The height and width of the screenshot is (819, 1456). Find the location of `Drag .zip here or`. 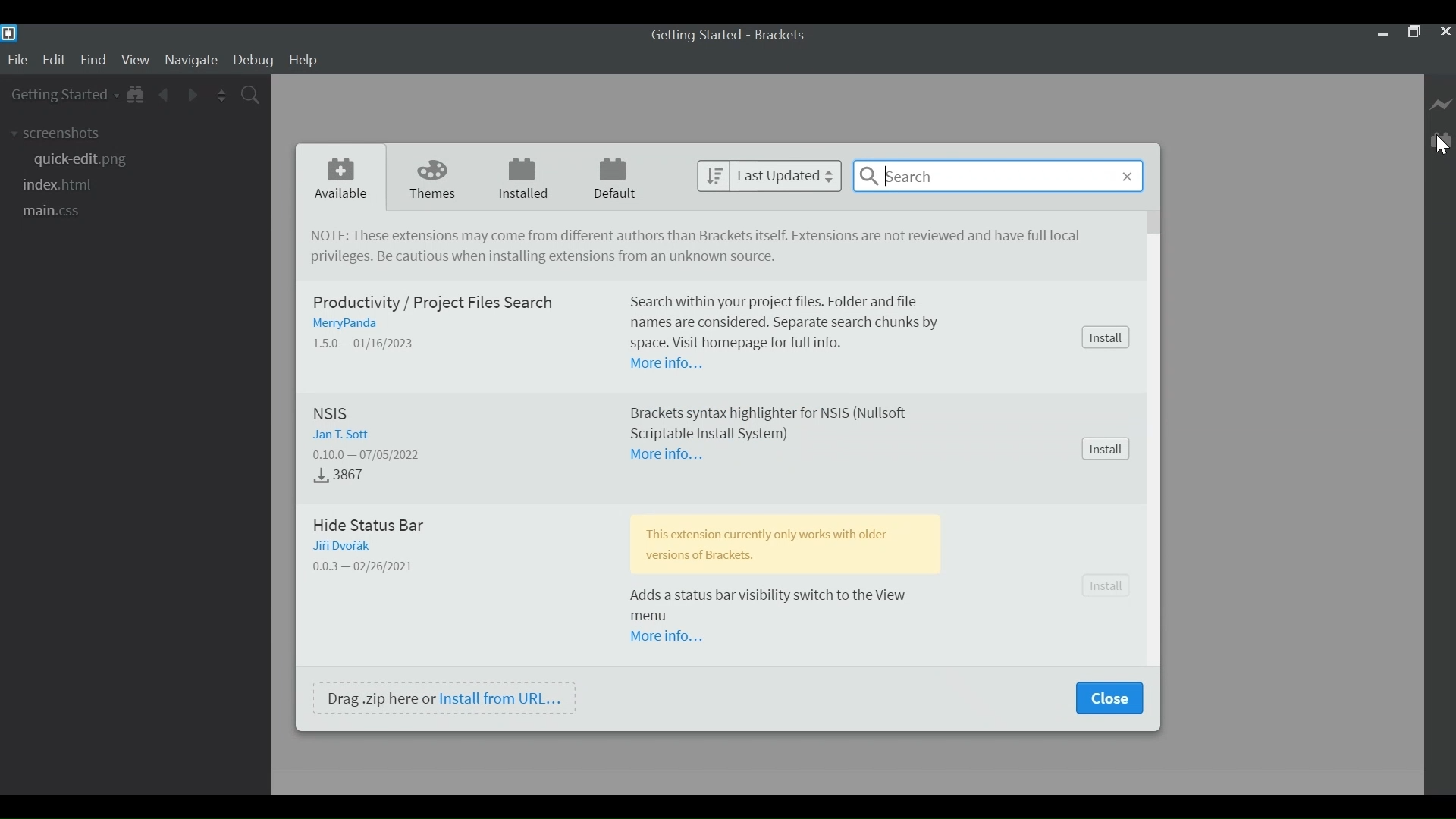

Drag .zip here or is located at coordinates (379, 698).